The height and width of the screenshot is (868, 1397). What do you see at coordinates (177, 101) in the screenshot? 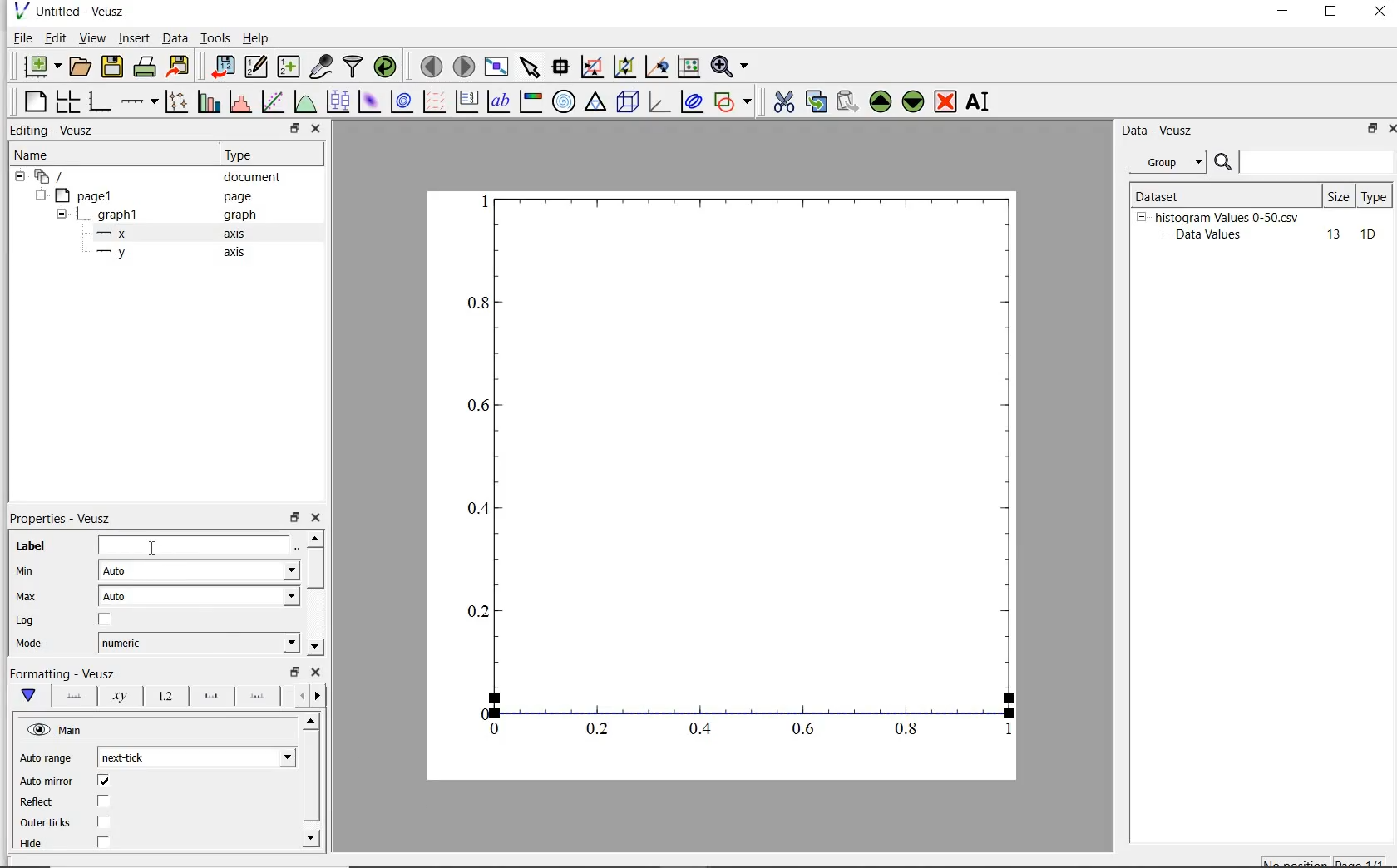
I see `plot points with line and error bars` at bounding box center [177, 101].